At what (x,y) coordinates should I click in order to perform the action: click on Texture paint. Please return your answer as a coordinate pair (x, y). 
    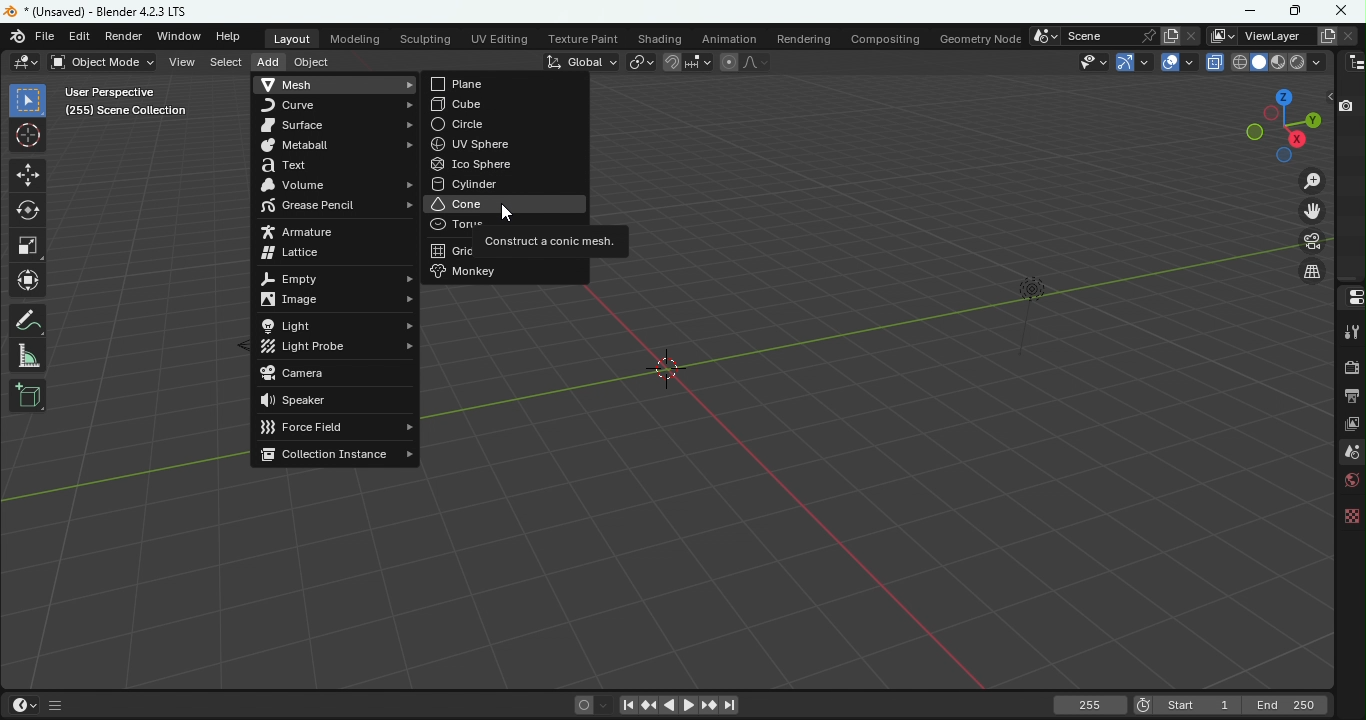
    Looking at the image, I should click on (580, 37).